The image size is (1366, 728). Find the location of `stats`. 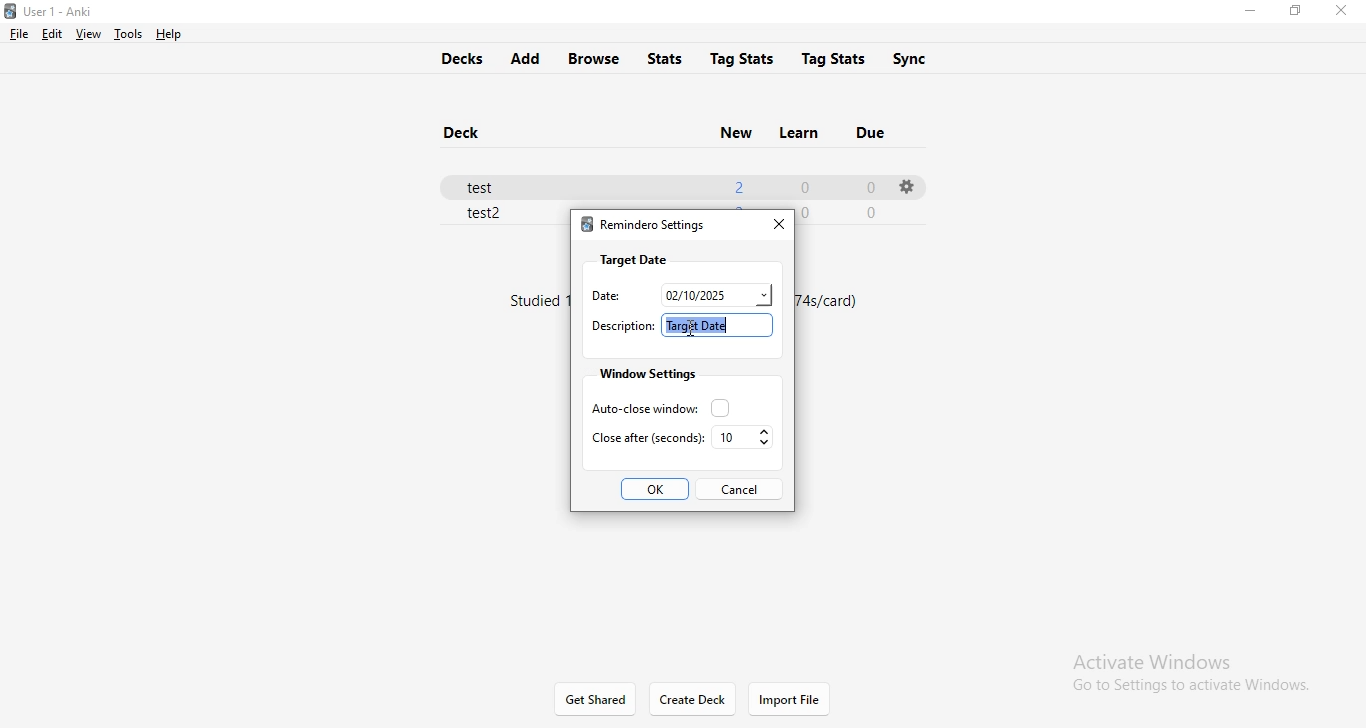

stats is located at coordinates (669, 56).